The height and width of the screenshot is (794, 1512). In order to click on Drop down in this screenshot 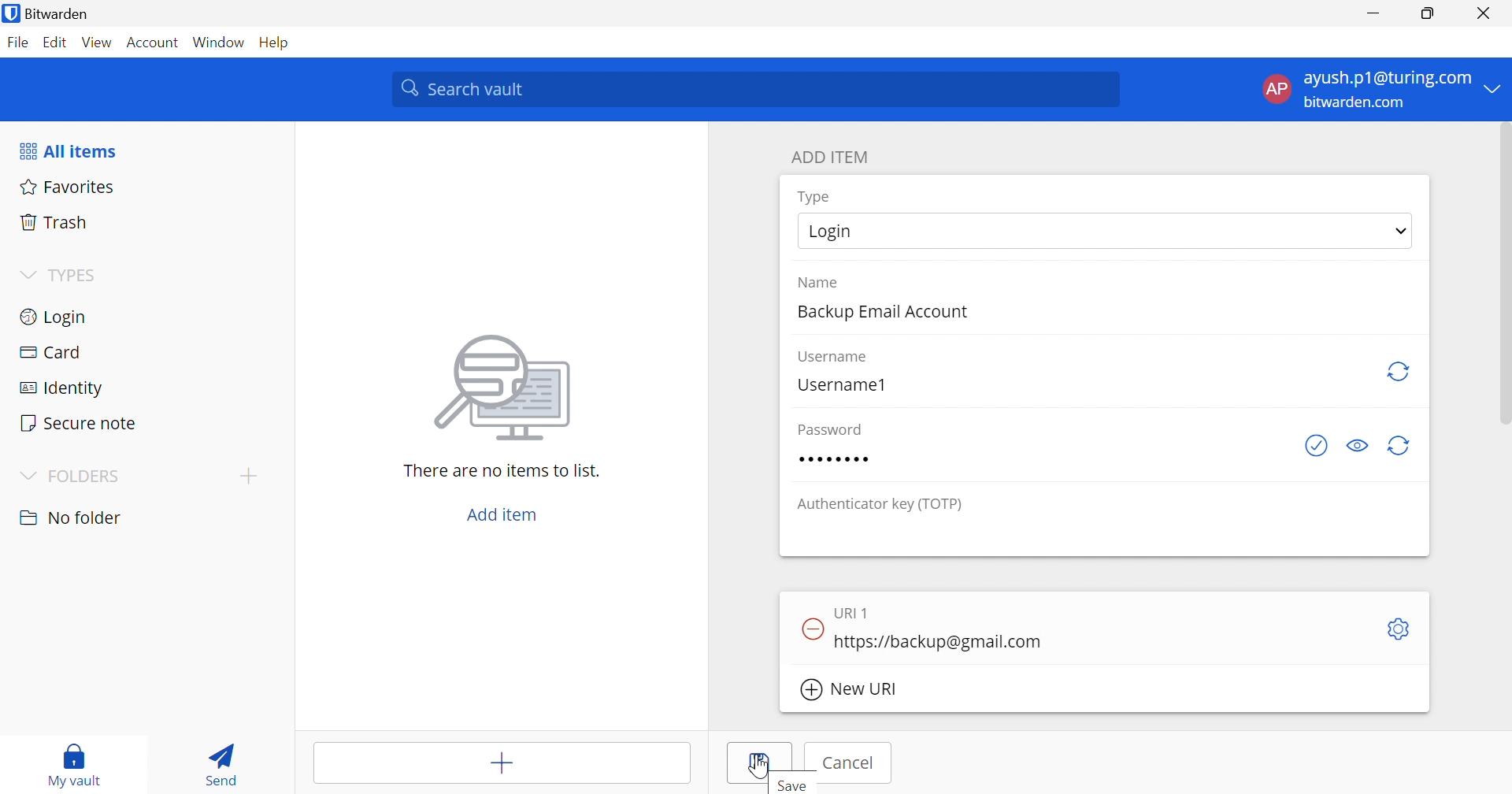, I will do `click(1401, 231)`.